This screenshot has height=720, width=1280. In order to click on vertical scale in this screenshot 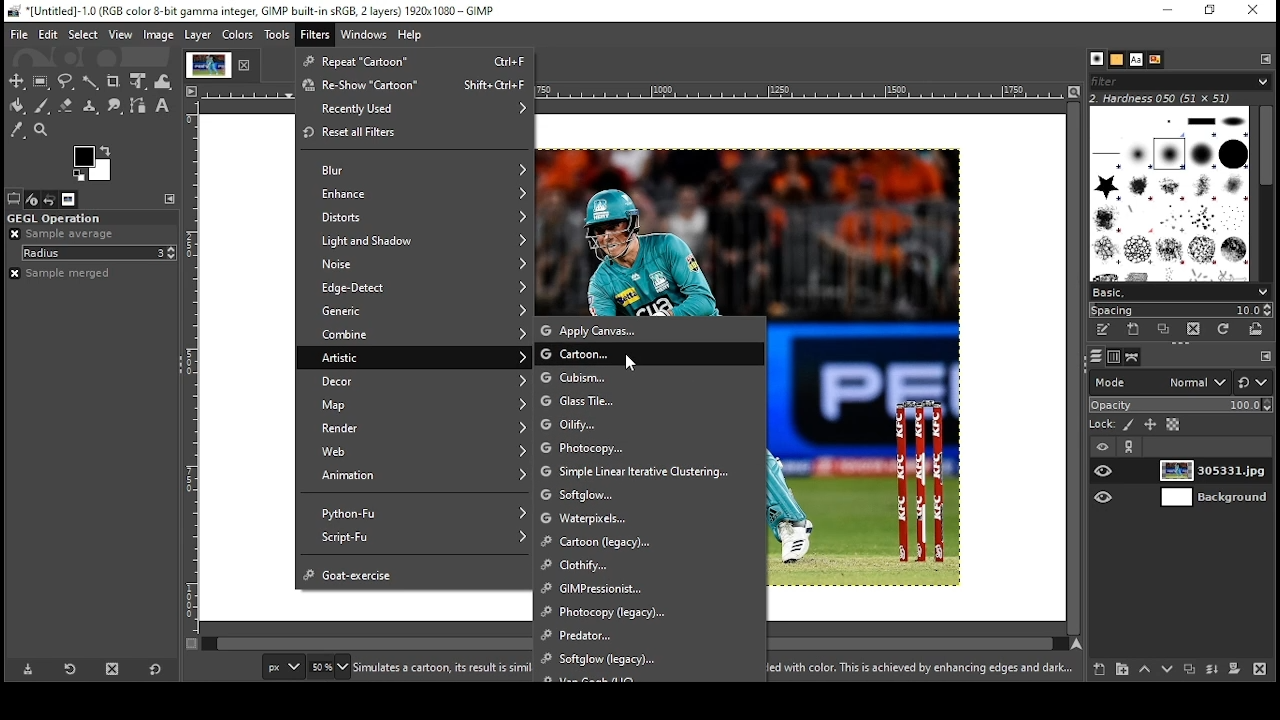, I will do `click(192, 377)`.